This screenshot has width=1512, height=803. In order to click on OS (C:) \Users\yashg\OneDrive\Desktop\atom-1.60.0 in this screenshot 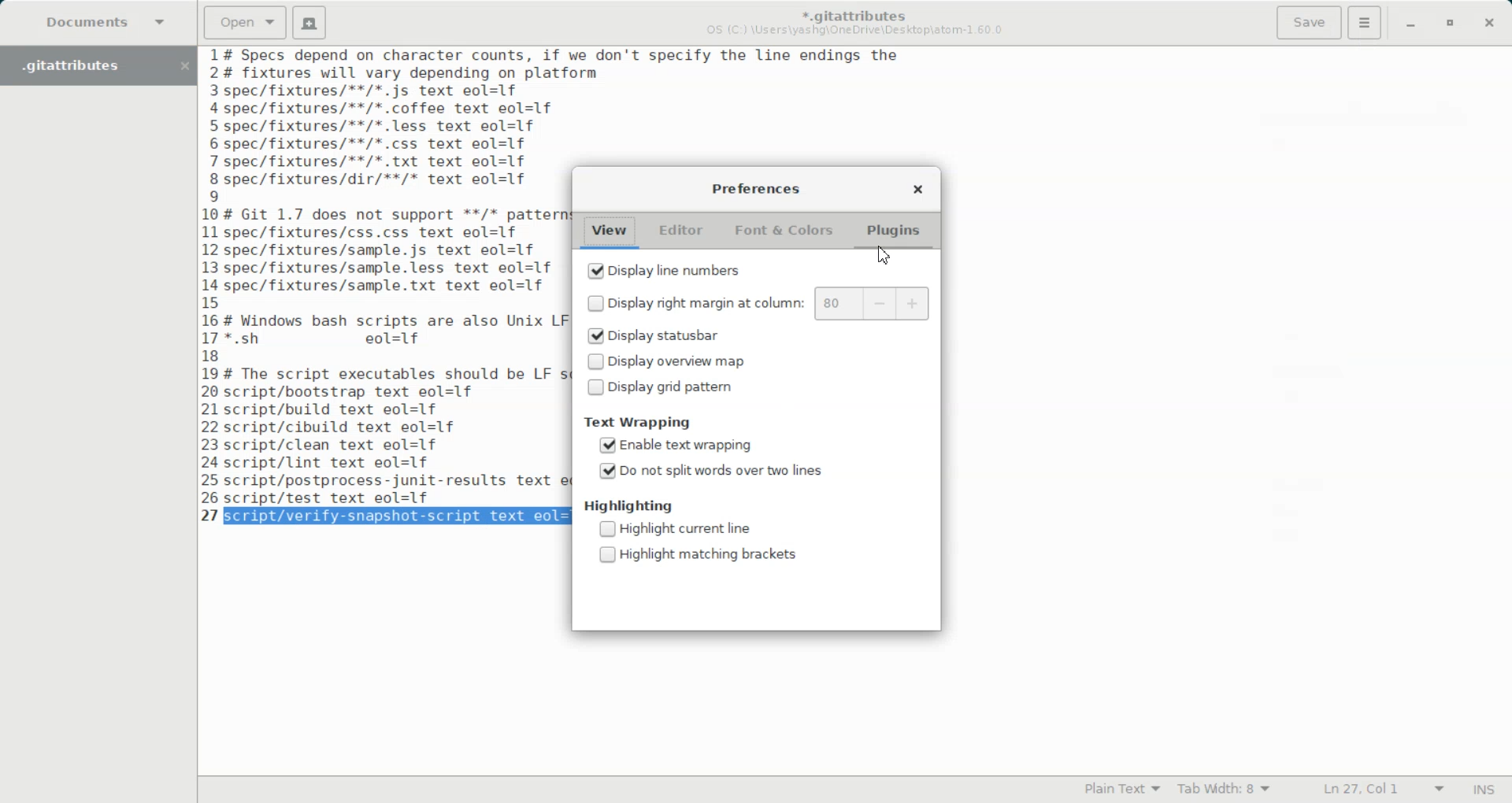, I will do `click(858, 31)`.